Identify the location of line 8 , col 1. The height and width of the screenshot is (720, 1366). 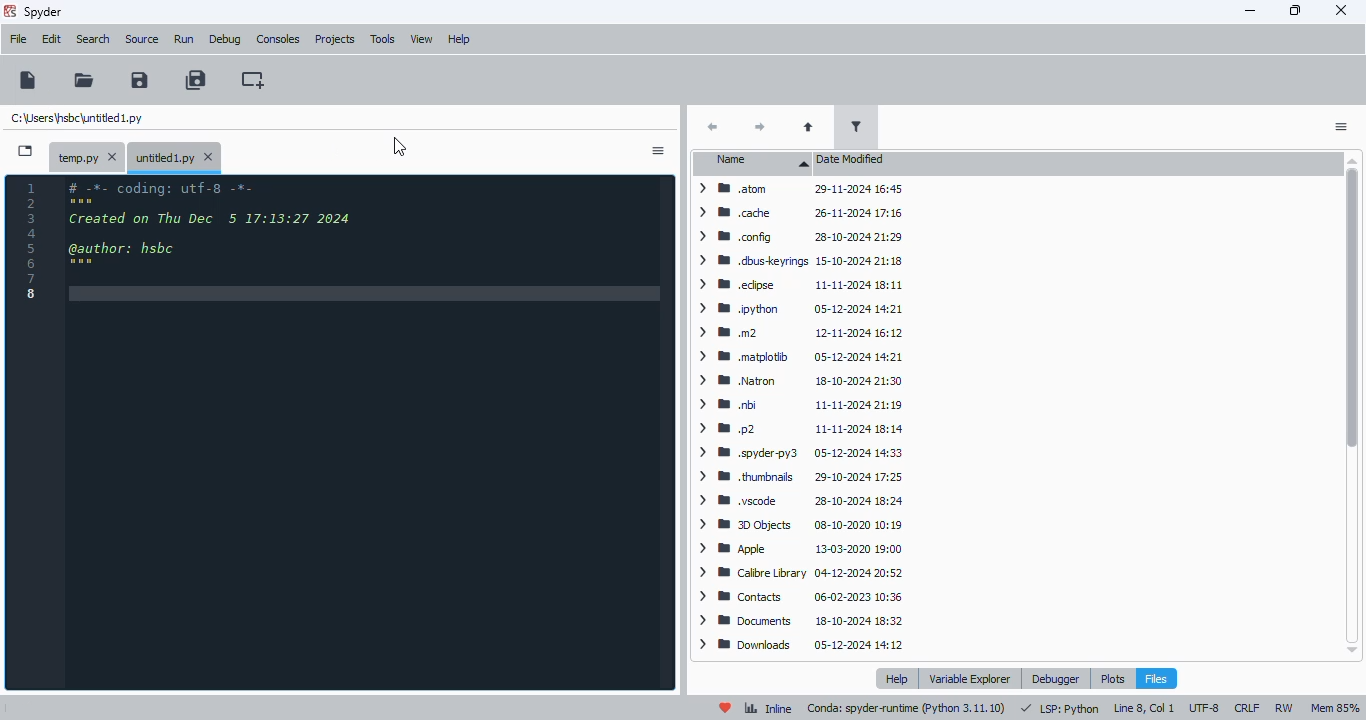
(1144, 709).